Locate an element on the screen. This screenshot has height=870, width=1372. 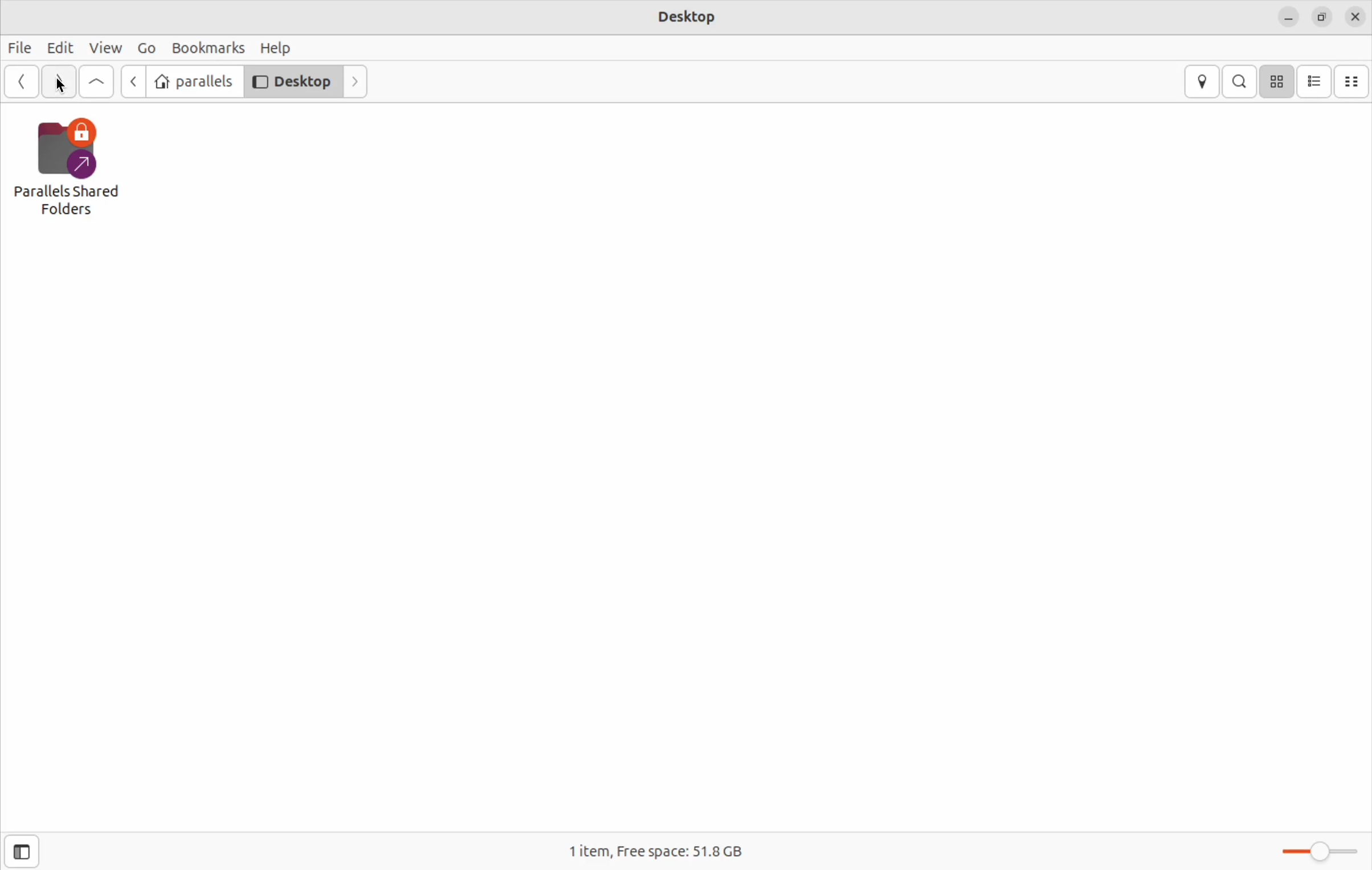
icon view is located at coordinates (1278, 81).